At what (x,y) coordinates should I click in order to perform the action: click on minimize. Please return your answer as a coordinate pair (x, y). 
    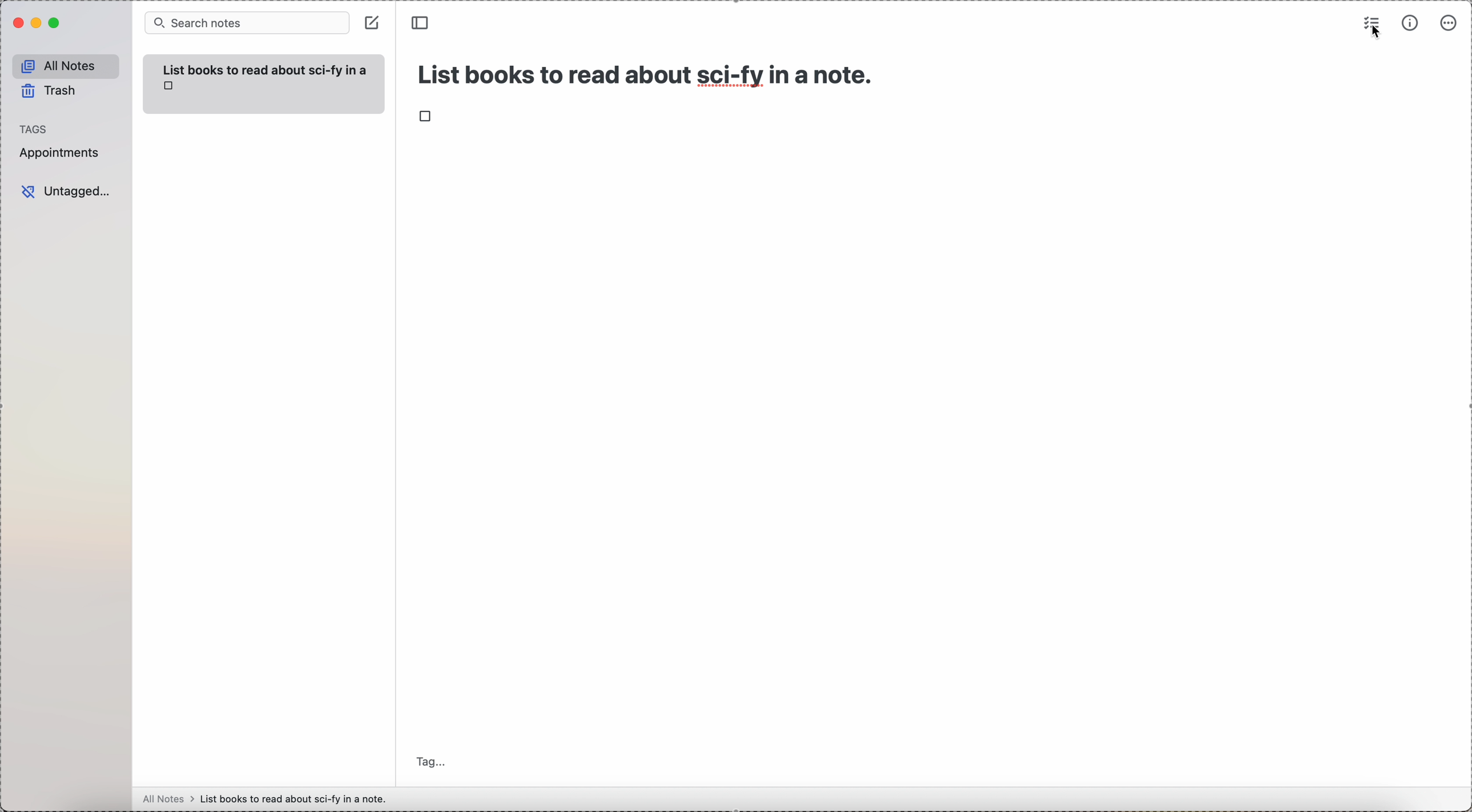
    Looking at the image, I should click on (34, 23).